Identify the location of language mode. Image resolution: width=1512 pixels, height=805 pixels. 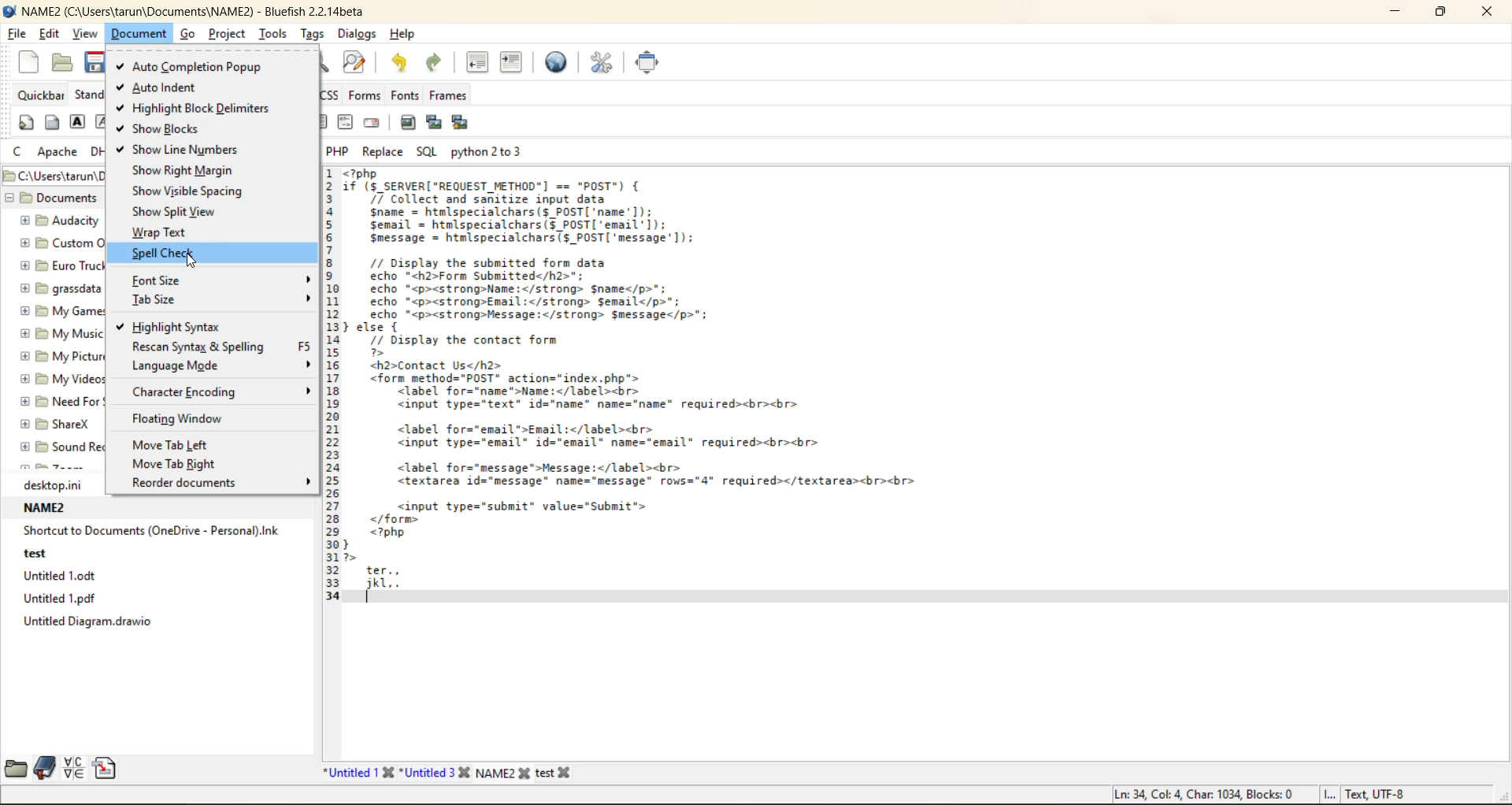
(220, 365).